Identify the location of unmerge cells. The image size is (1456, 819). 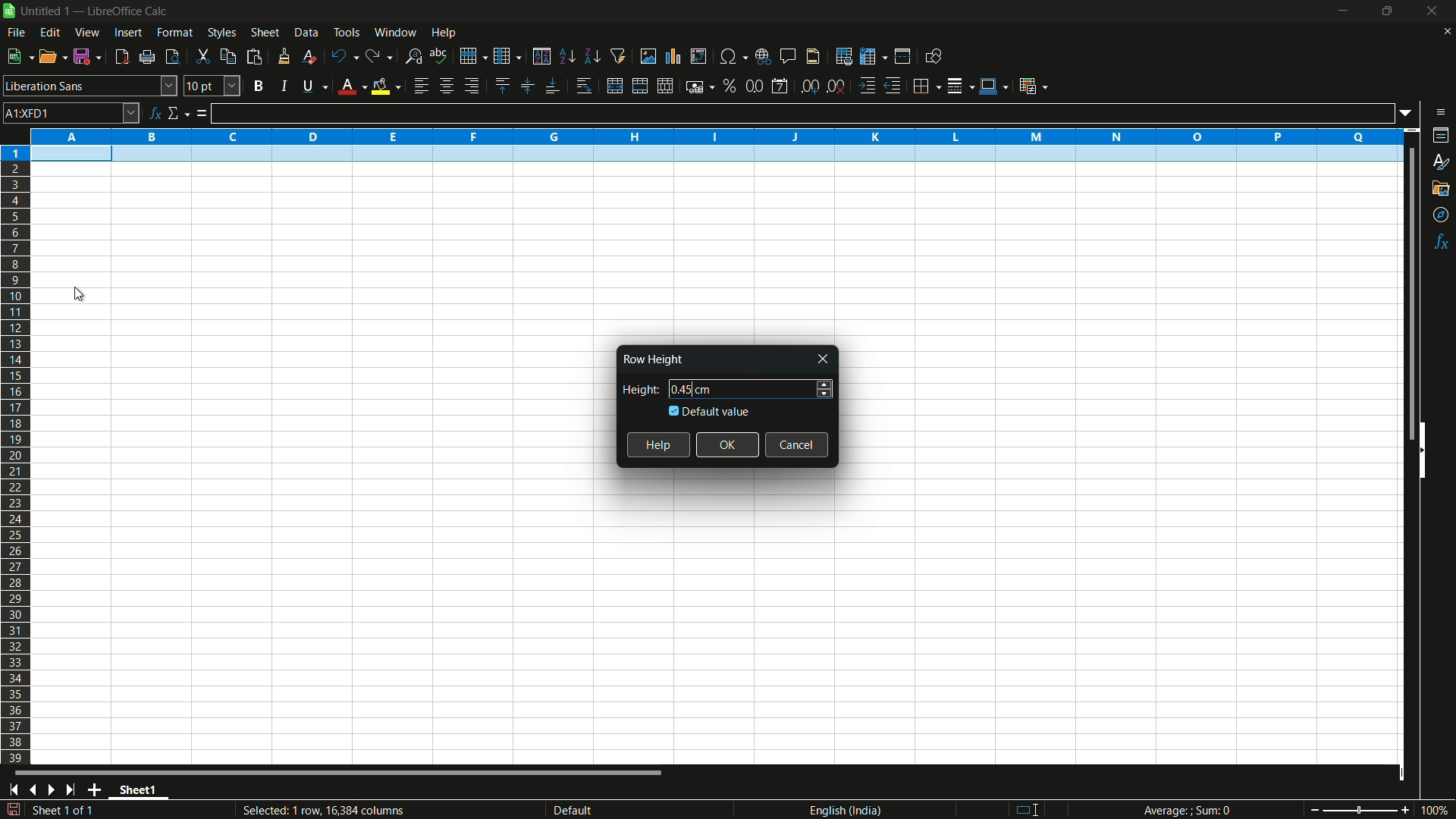
(666, 86).